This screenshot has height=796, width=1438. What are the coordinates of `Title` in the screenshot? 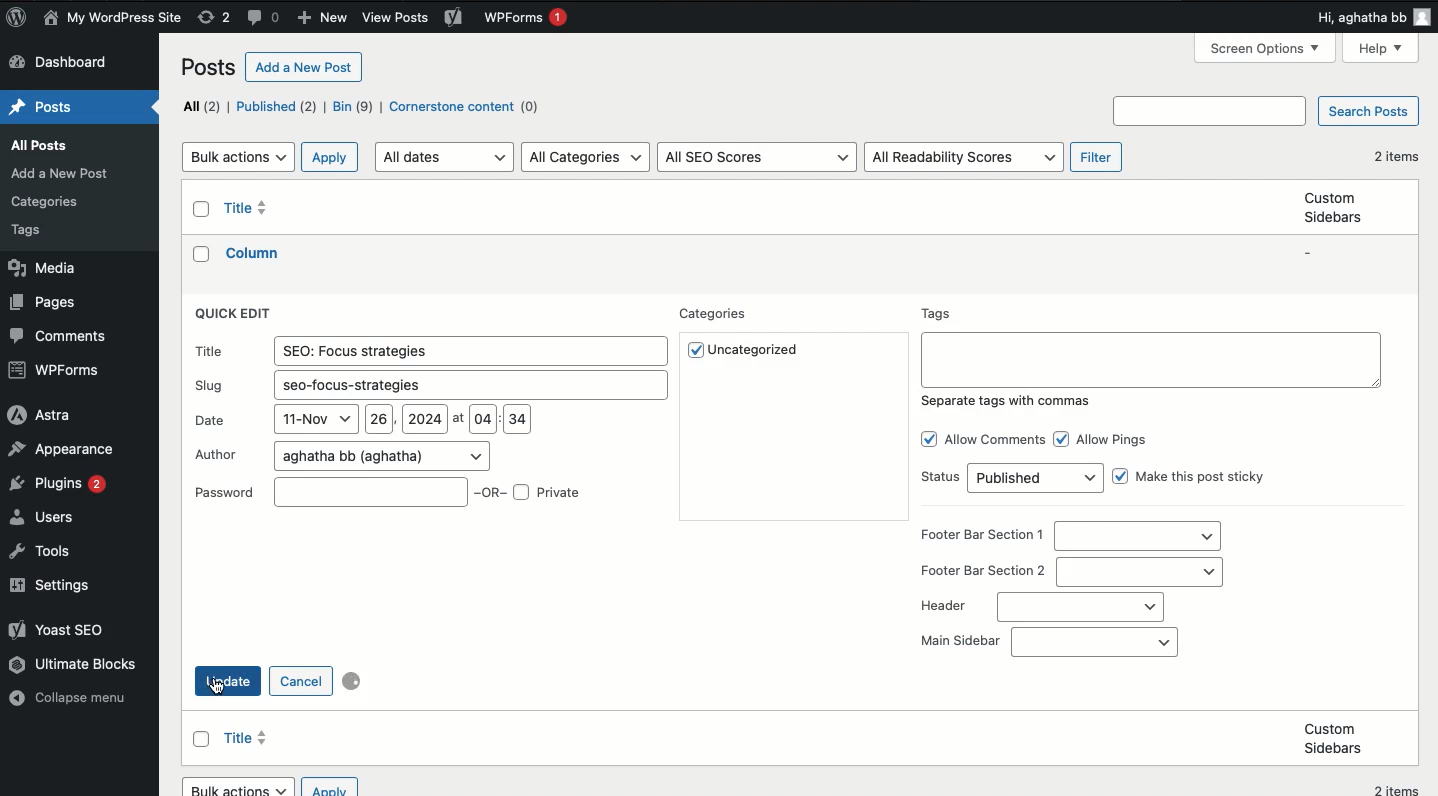 It's located at (251, 208).